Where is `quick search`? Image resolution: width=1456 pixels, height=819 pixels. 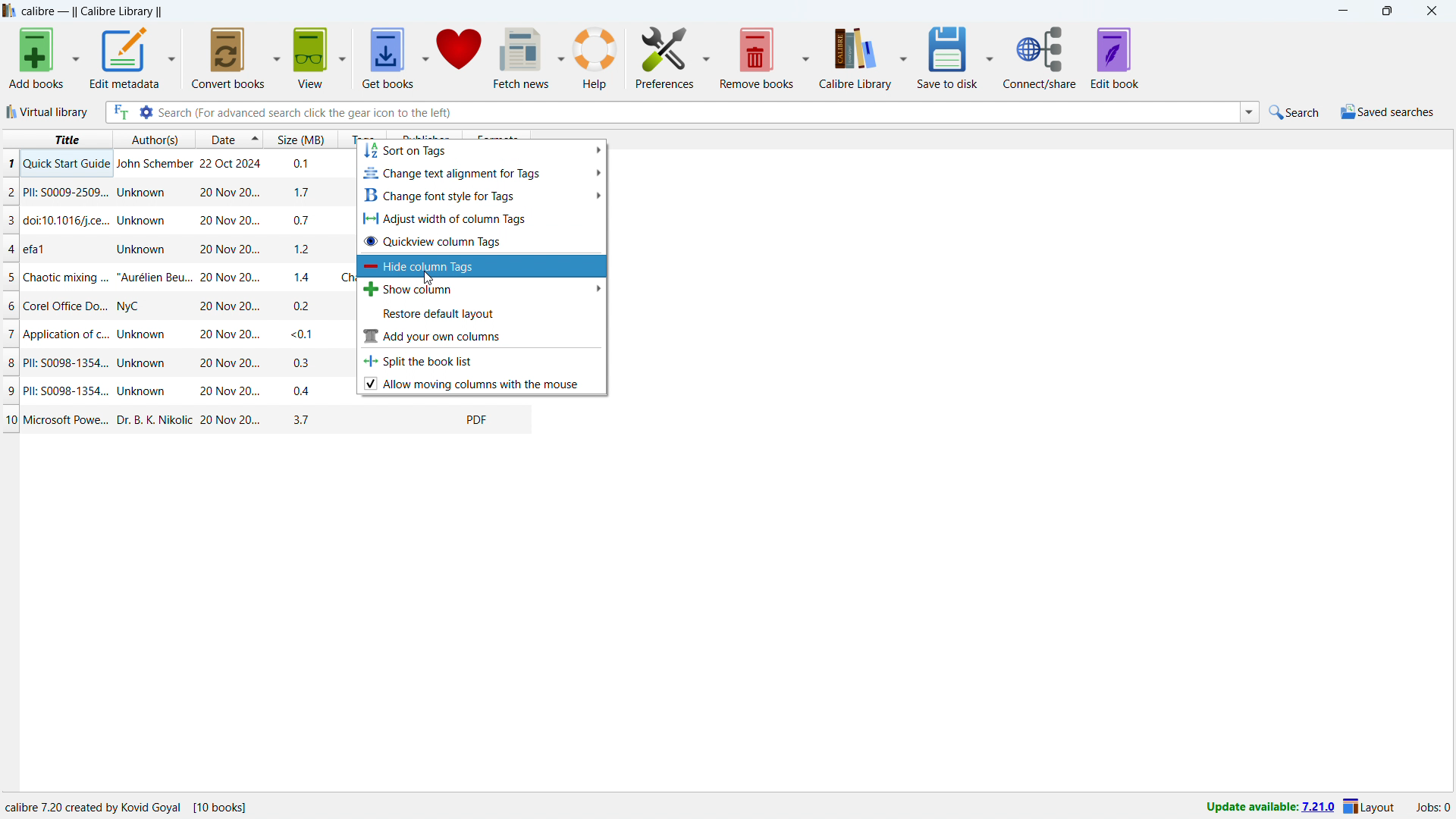 quick search is located at coordinates (1295, 111).